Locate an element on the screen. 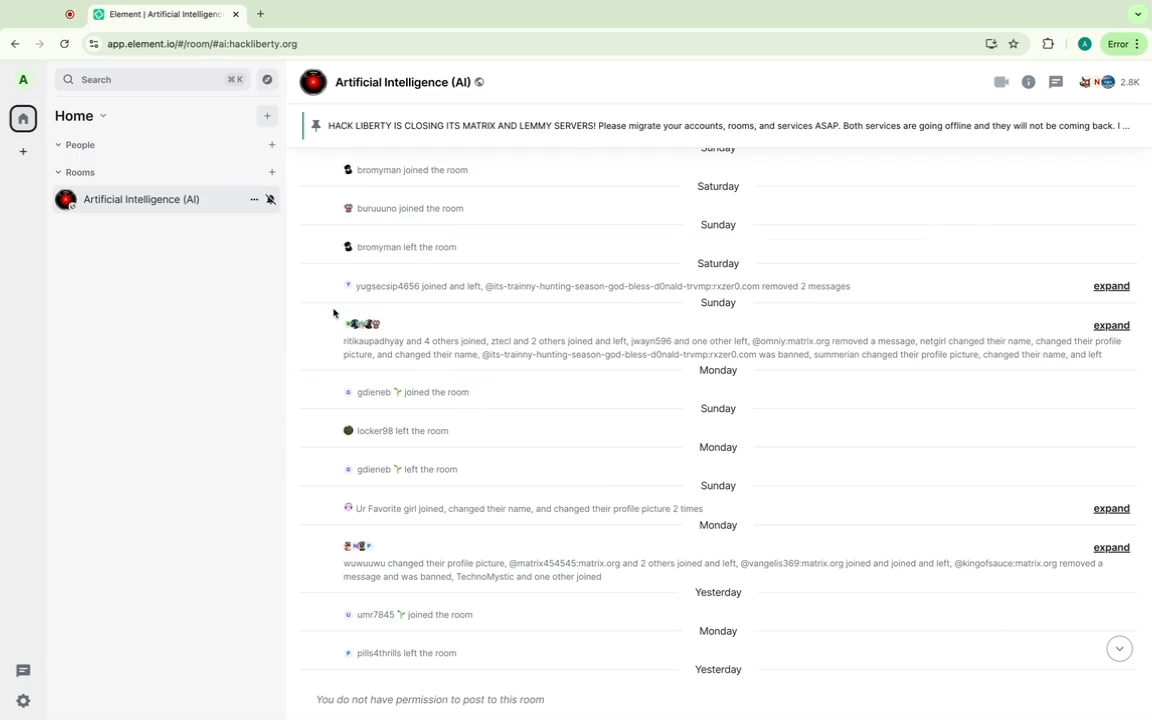 The height and width of the screenshot is (720, 1152). Add is located at coordinates (267, 116).